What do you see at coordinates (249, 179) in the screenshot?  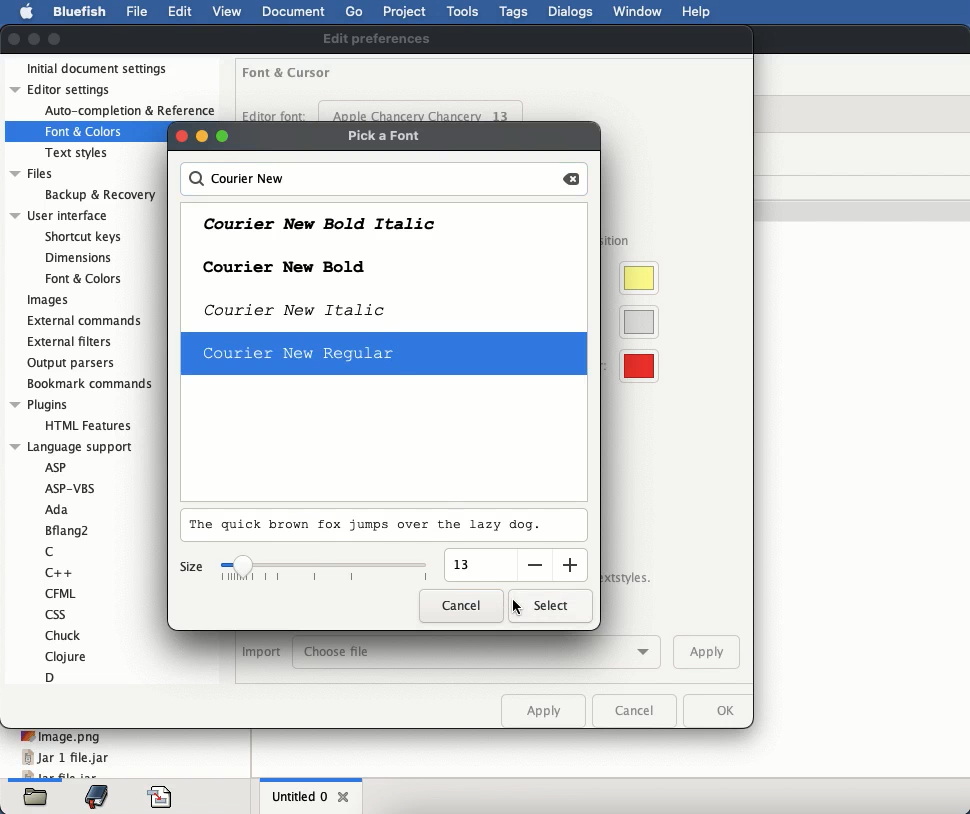 I see `courier new` at bounding box center [249, 179].